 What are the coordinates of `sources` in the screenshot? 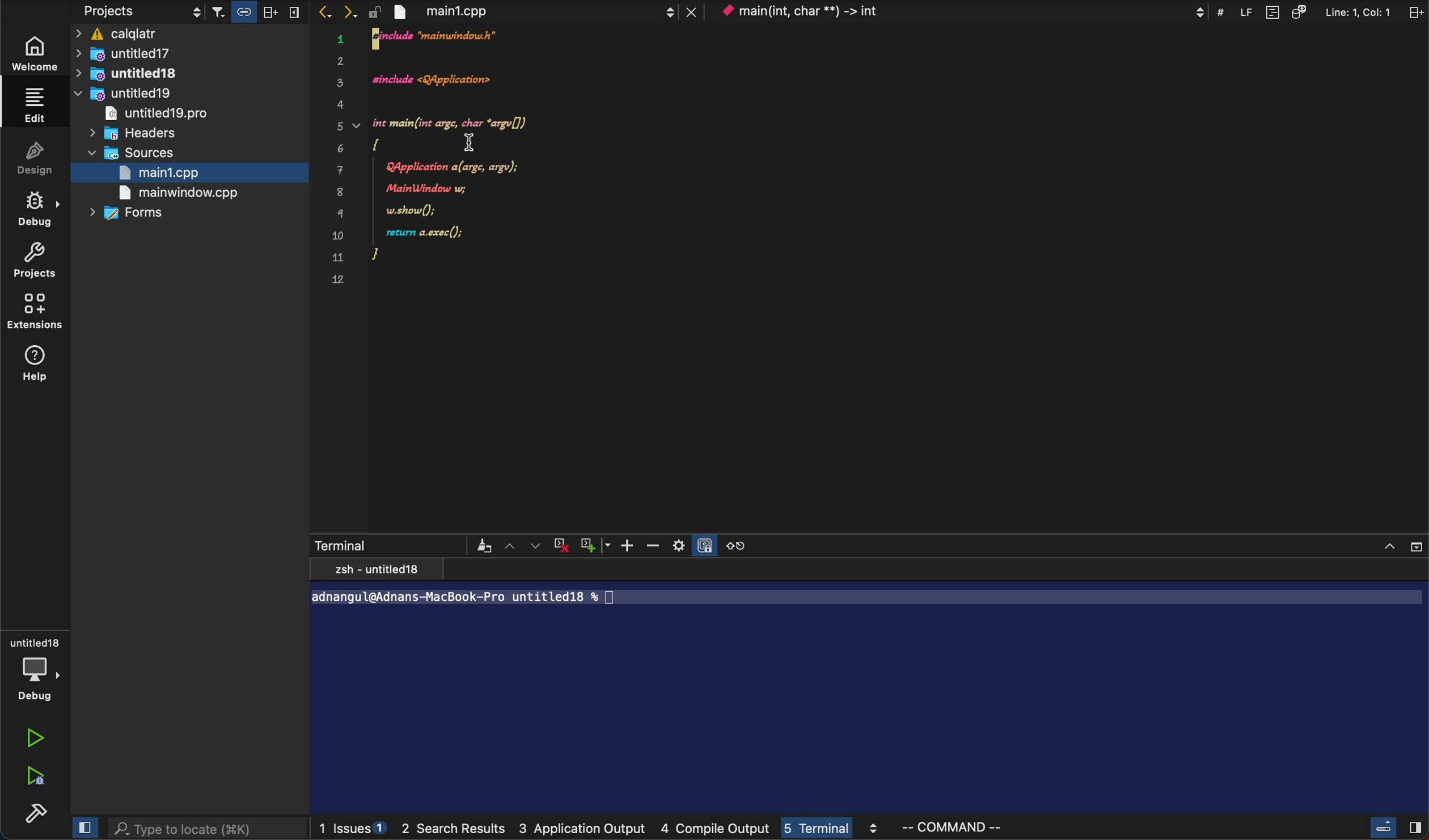 It's located at (134, 153).